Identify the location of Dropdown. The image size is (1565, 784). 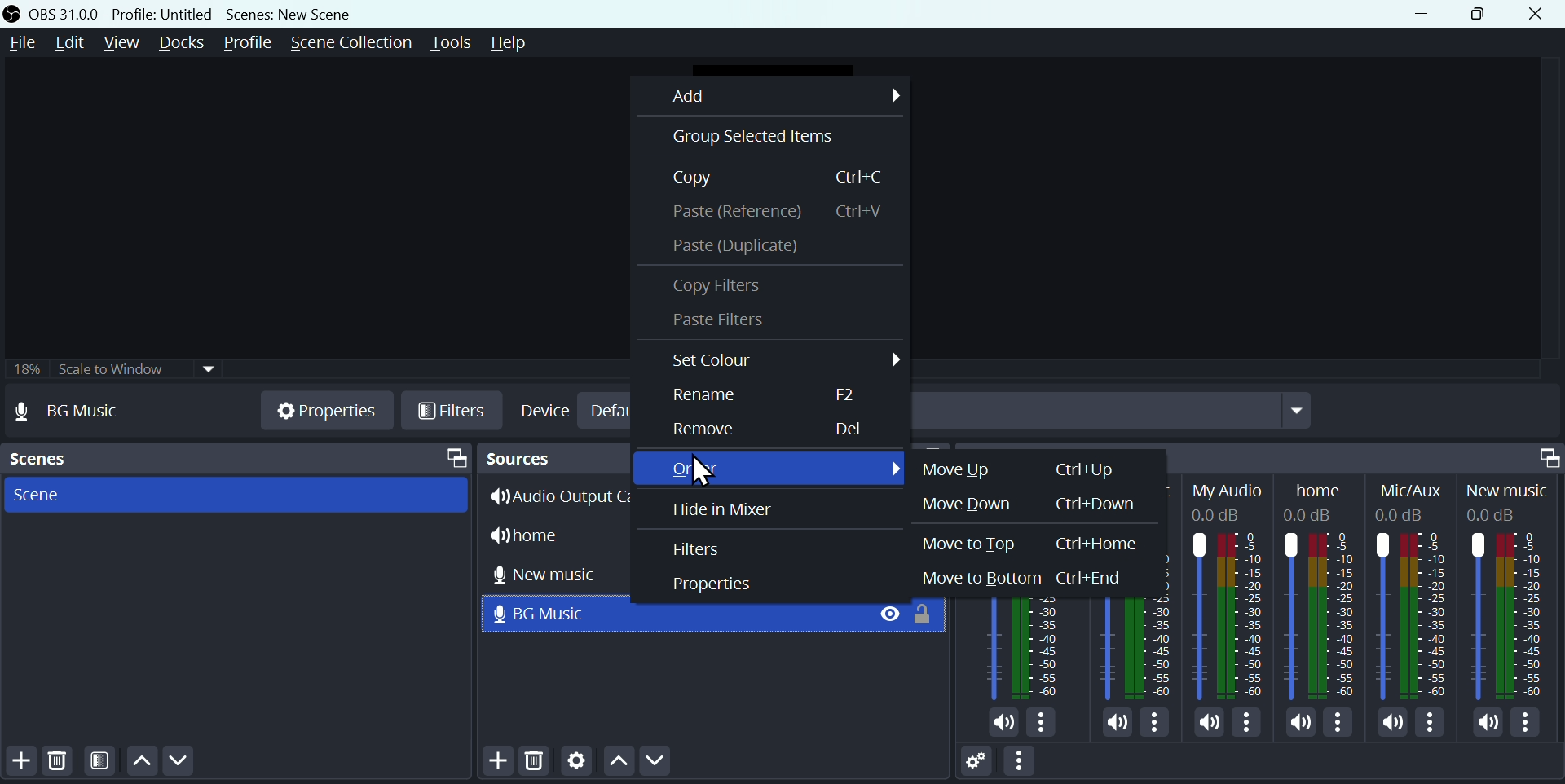
(1118, 410).